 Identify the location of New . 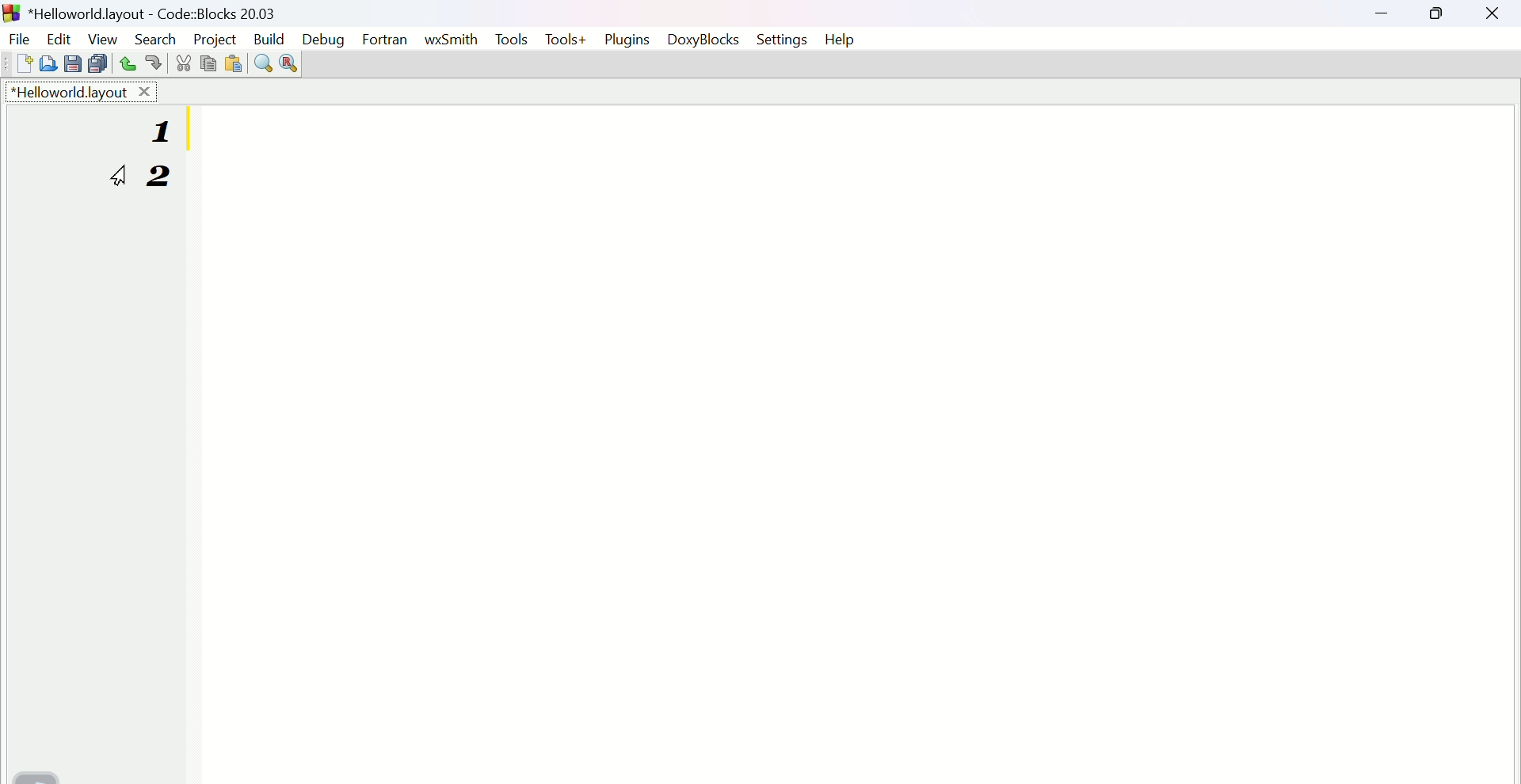
(16, 64).